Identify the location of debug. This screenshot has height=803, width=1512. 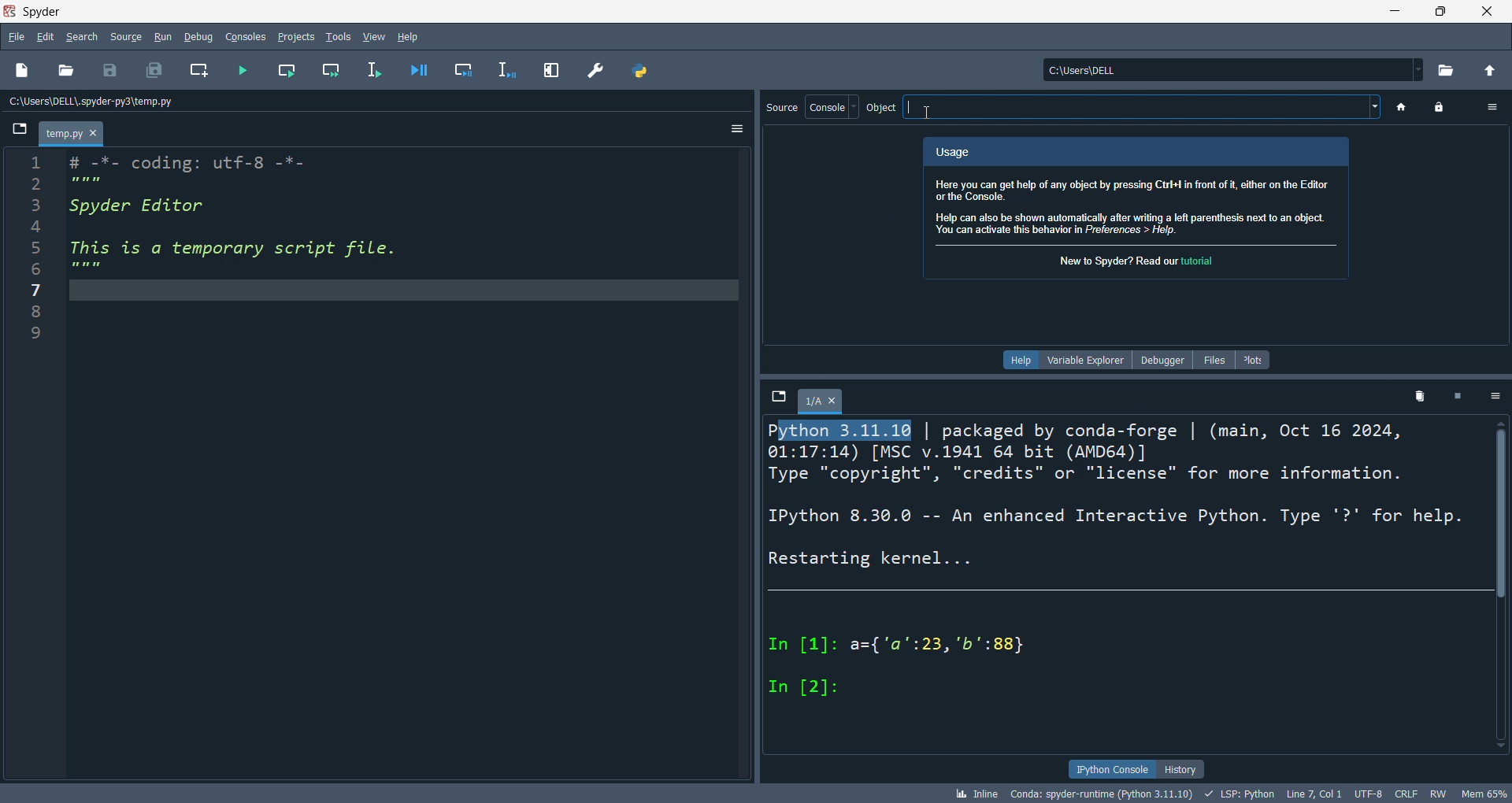
(201, 35).